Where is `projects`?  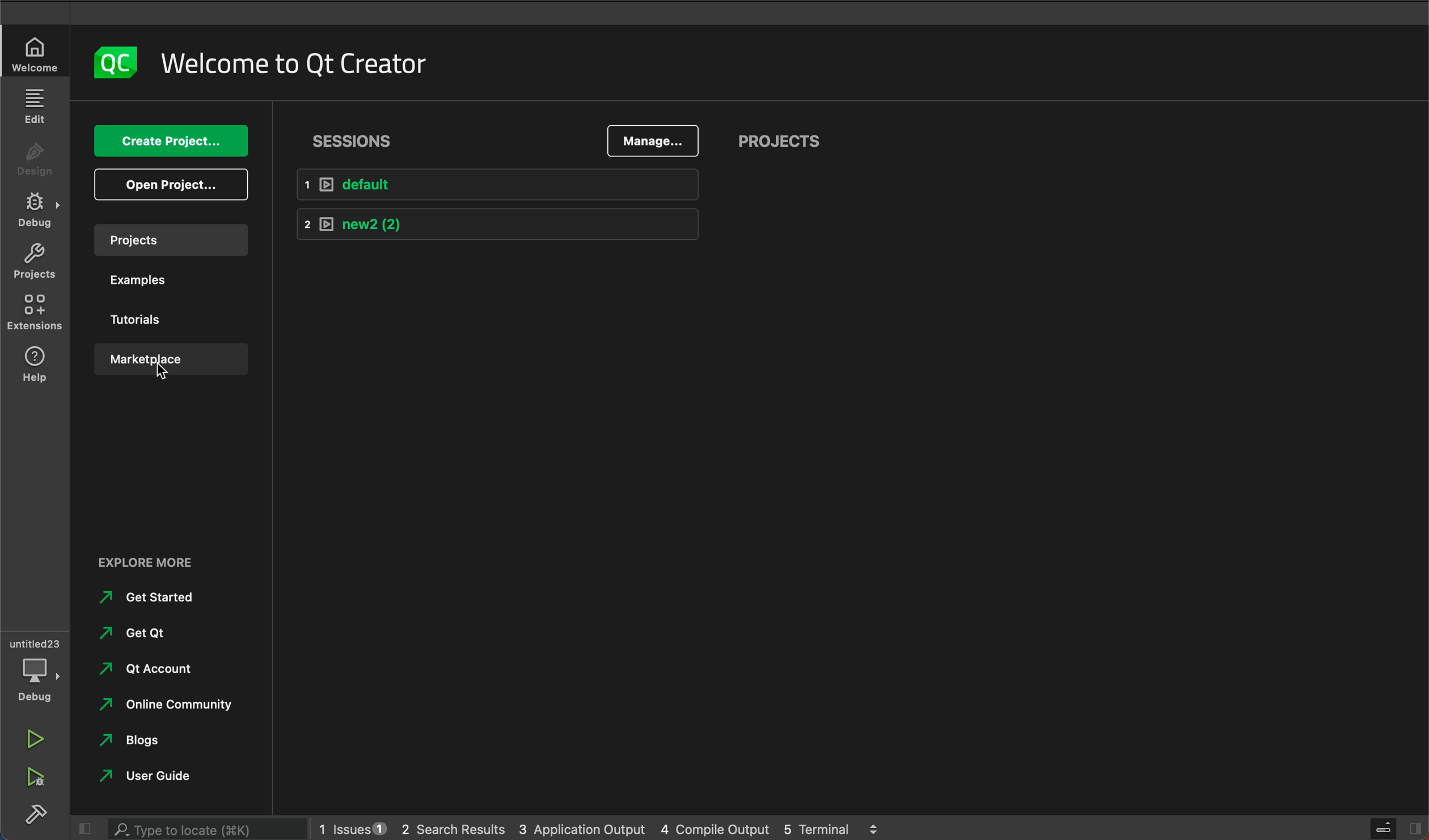 projects is located at coordinates (33, 264).